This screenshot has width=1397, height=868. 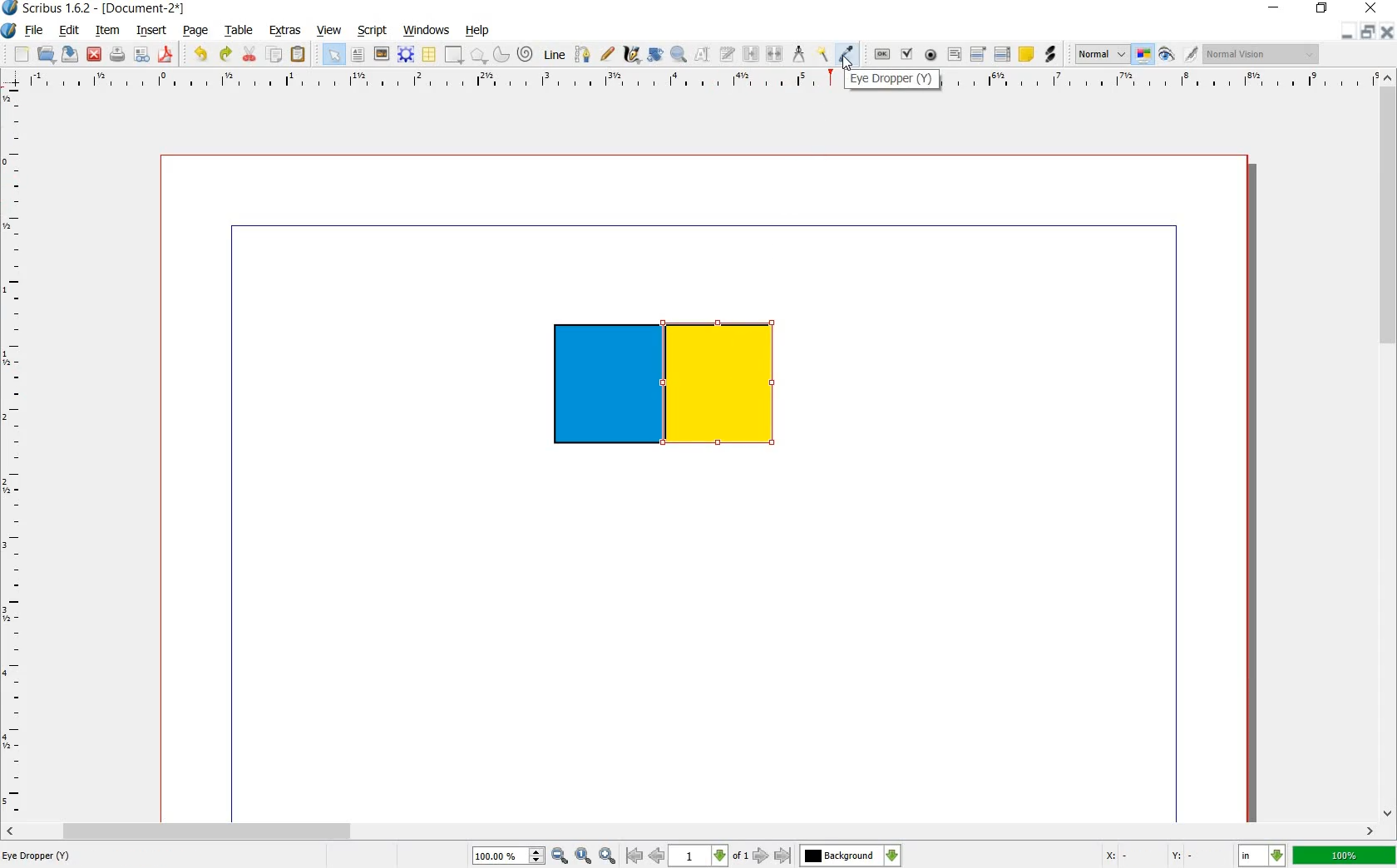 I want to click on background, so click(x=852, y=855).